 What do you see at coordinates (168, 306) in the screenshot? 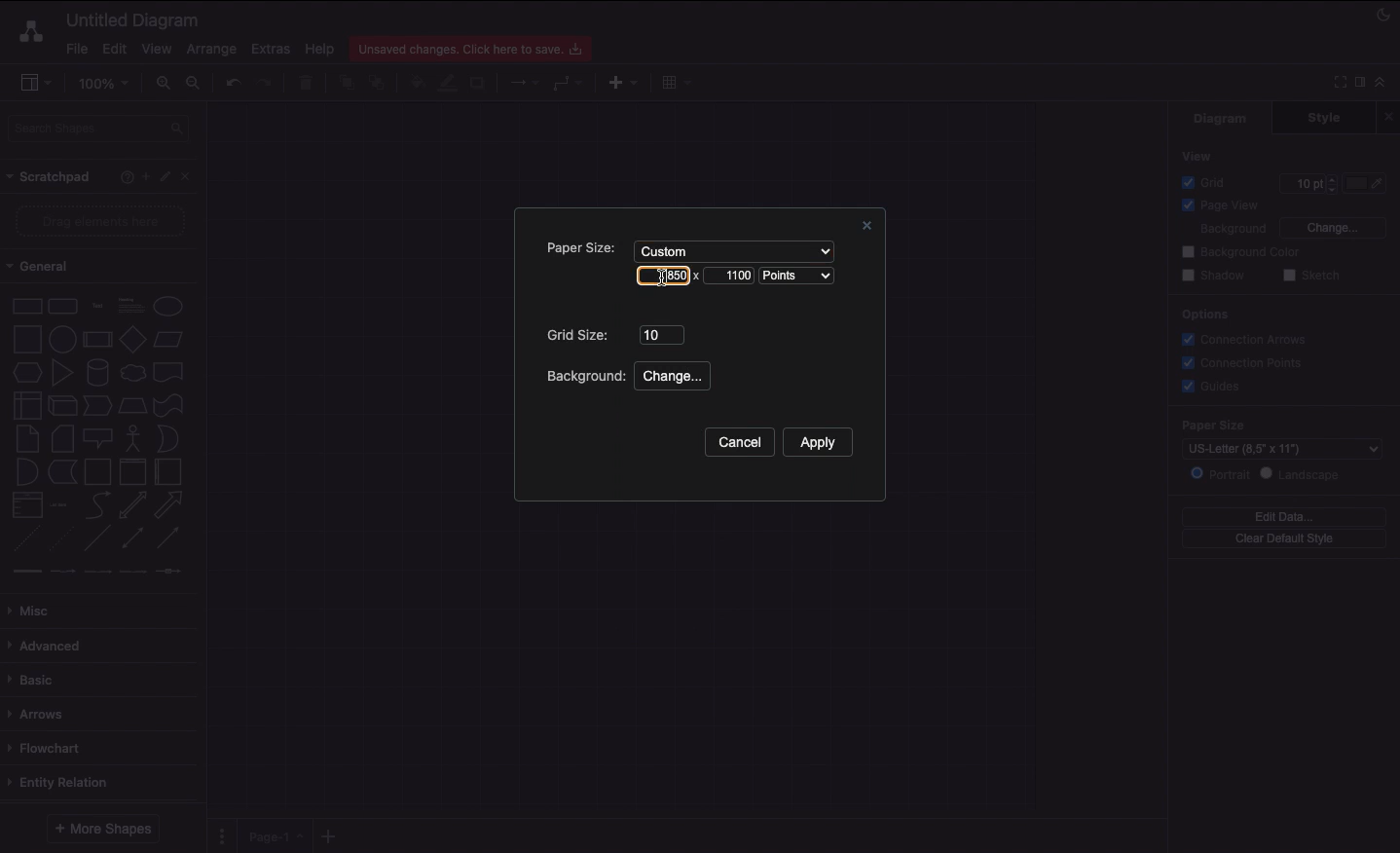
I see `Circle` at bounding box center [168, 306].